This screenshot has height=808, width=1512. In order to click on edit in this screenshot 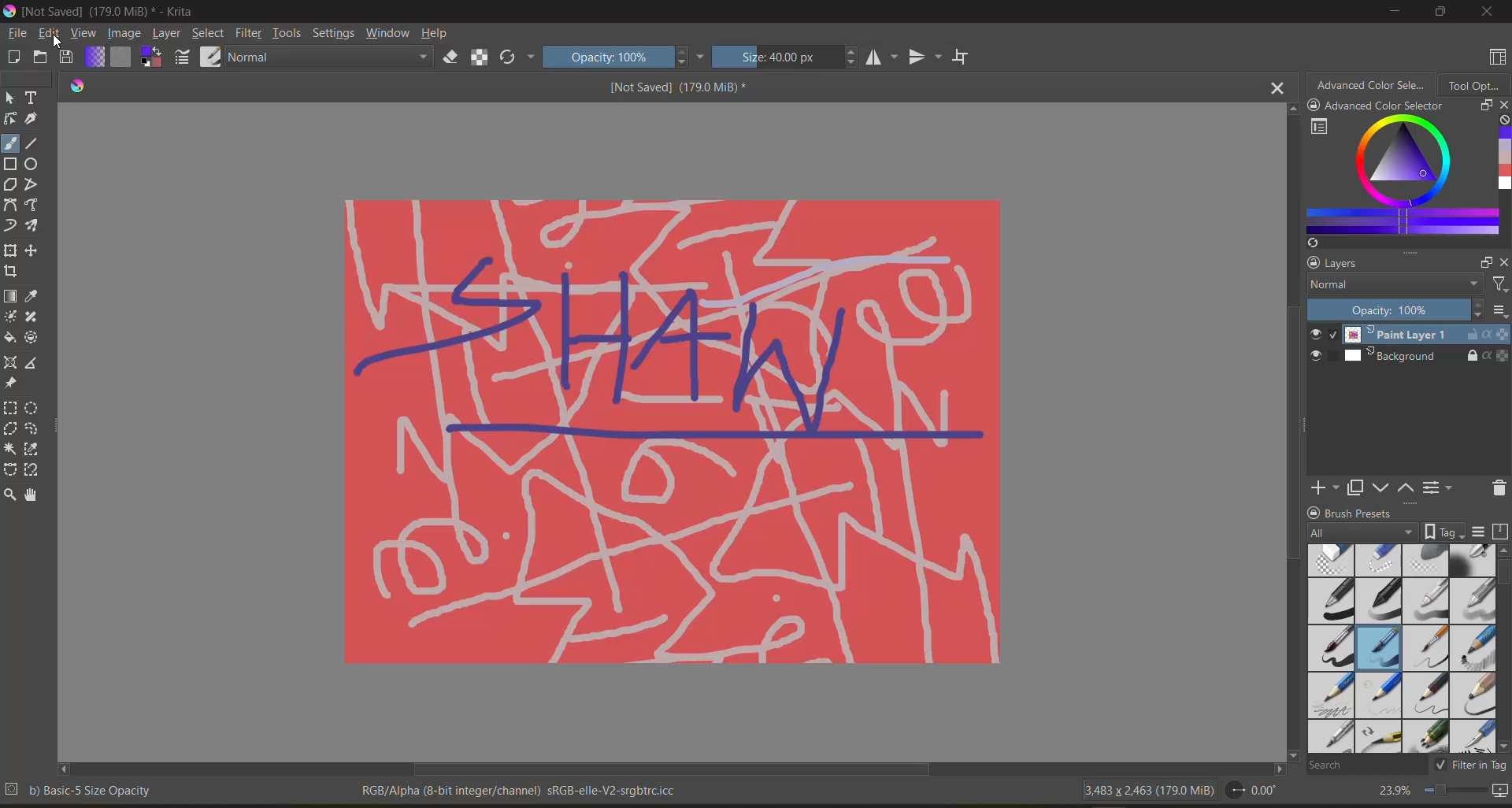, I will do `click(50, 33)`.